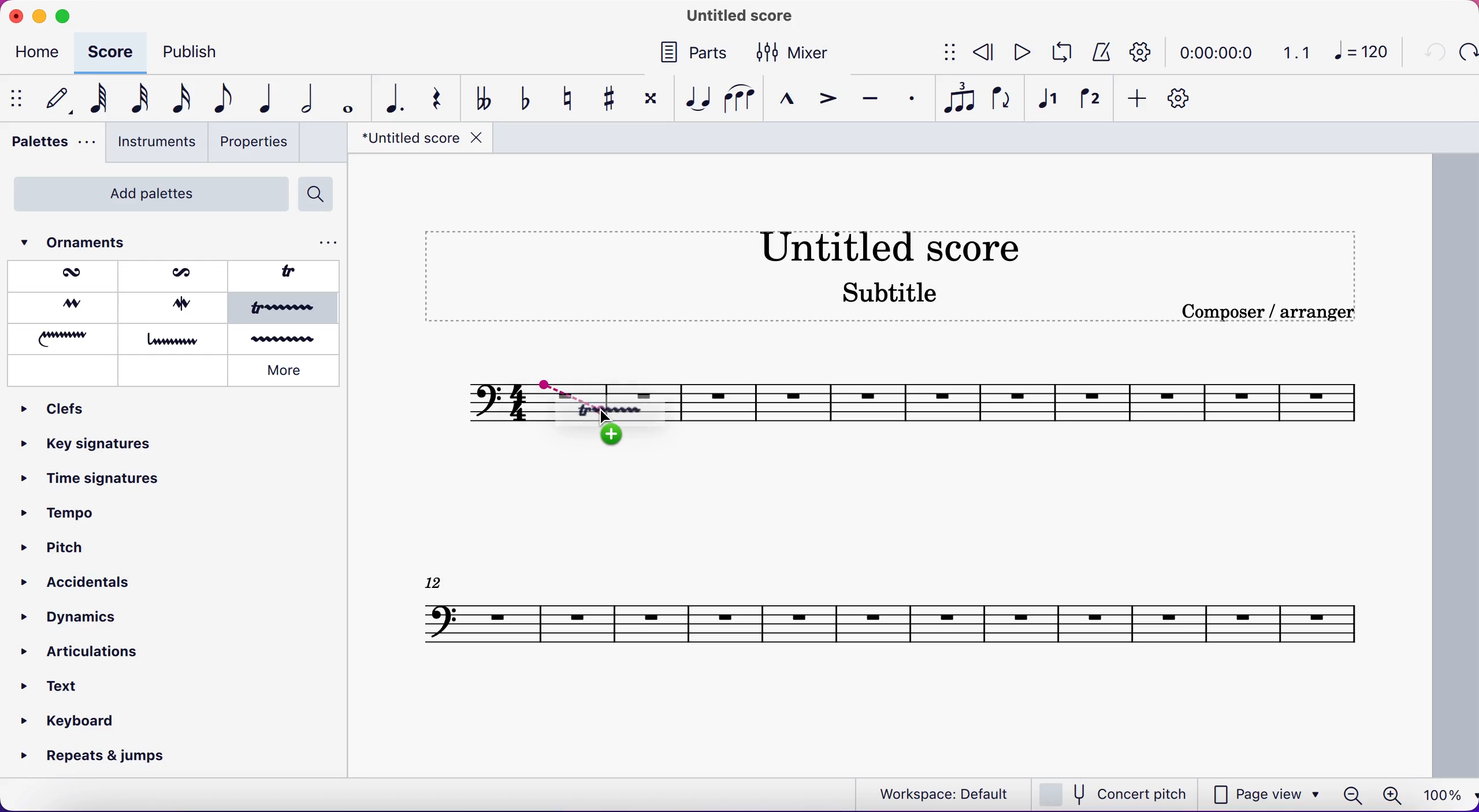  Describe the element at coordinates (1351, 795) in the screenshot. I see `zoom out` at that location.